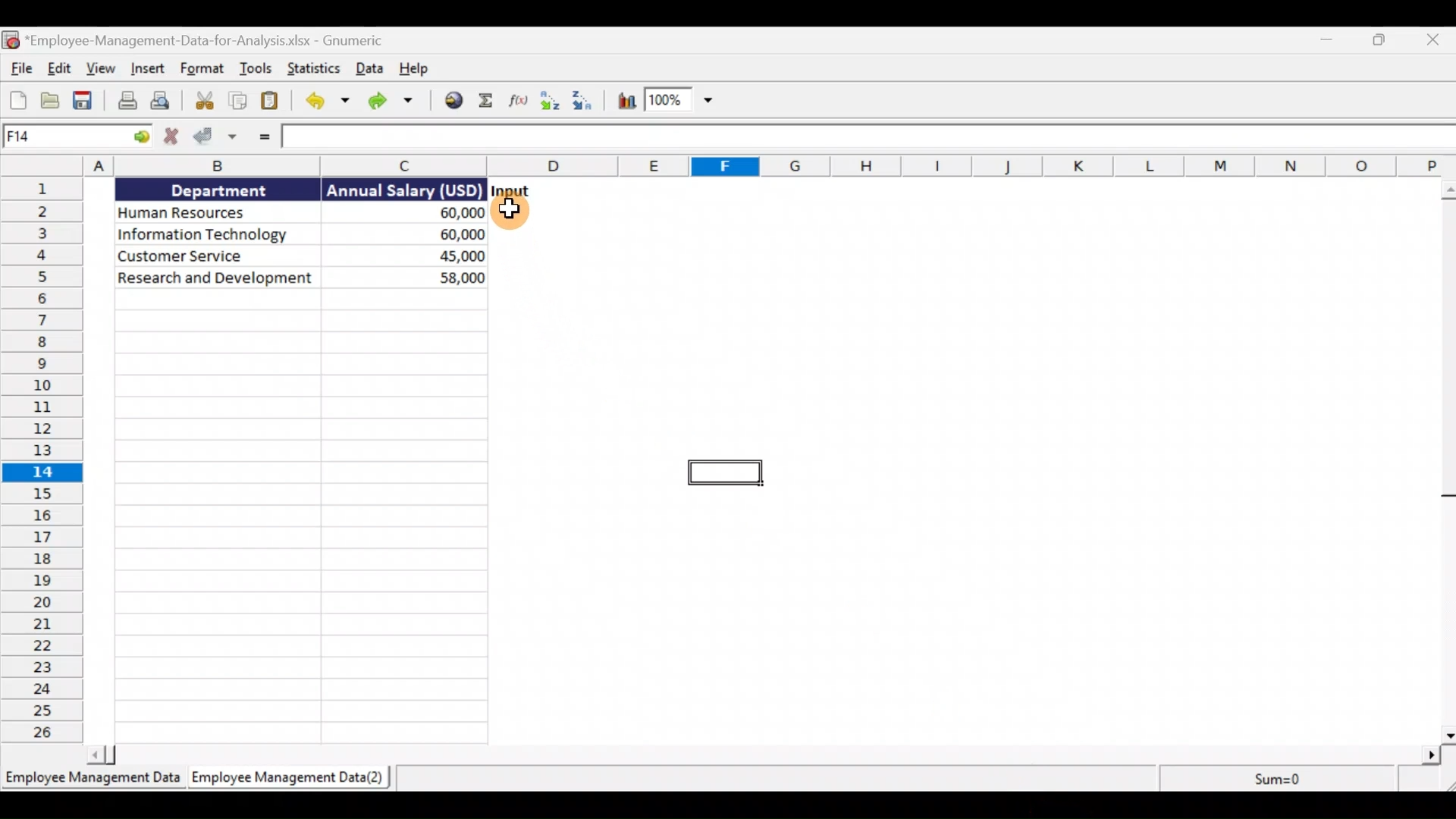 This screenshot has height=819, width=1456. I want to click on Insert a chart, so click(626, 105).